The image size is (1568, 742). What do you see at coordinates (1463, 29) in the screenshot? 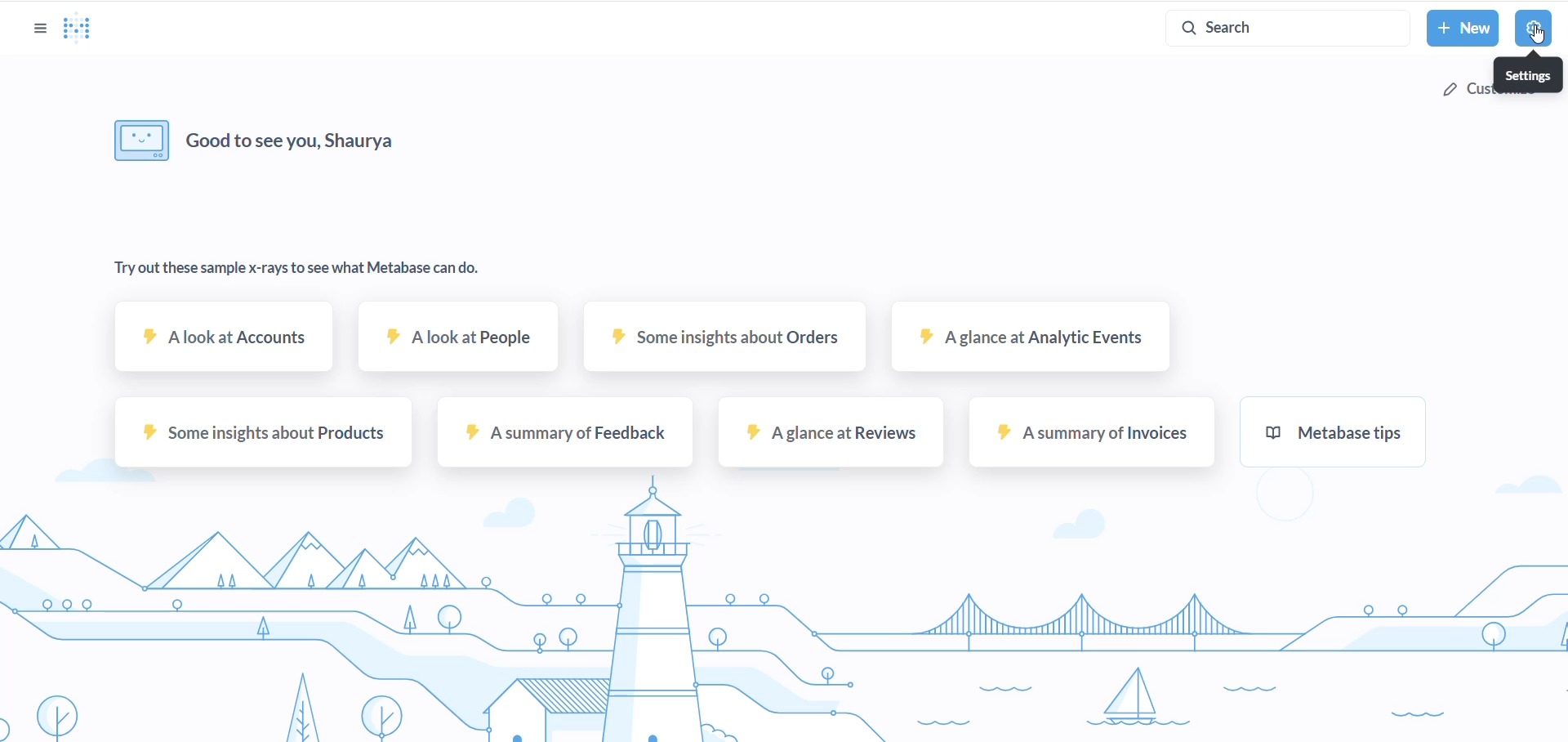
I see `new ` at bounding box center [1463, 29].